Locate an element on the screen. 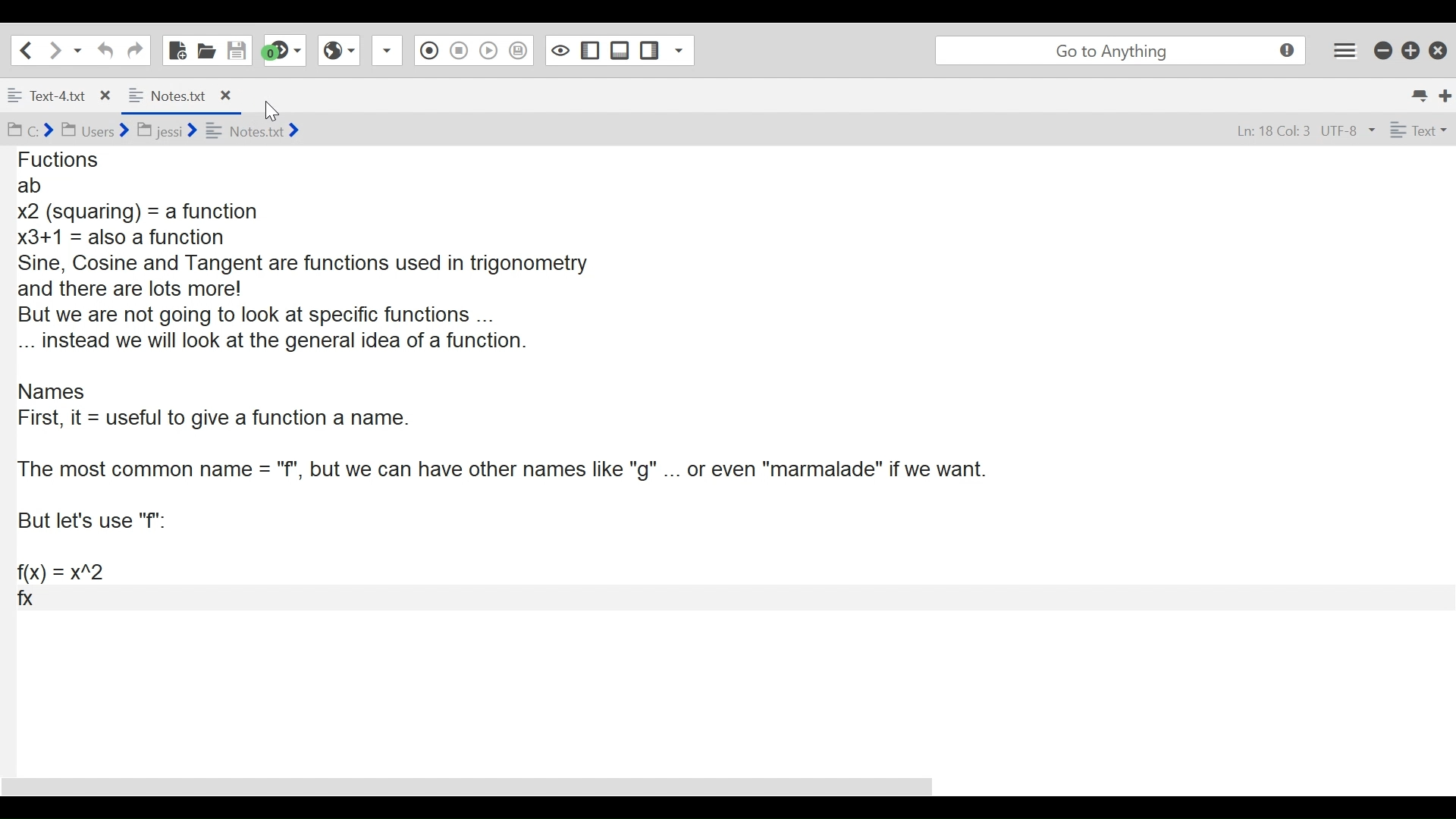 The width and height of the screenshot is (1456, 819). ln: 18 col:3 is located at coordinates (1269, 132).